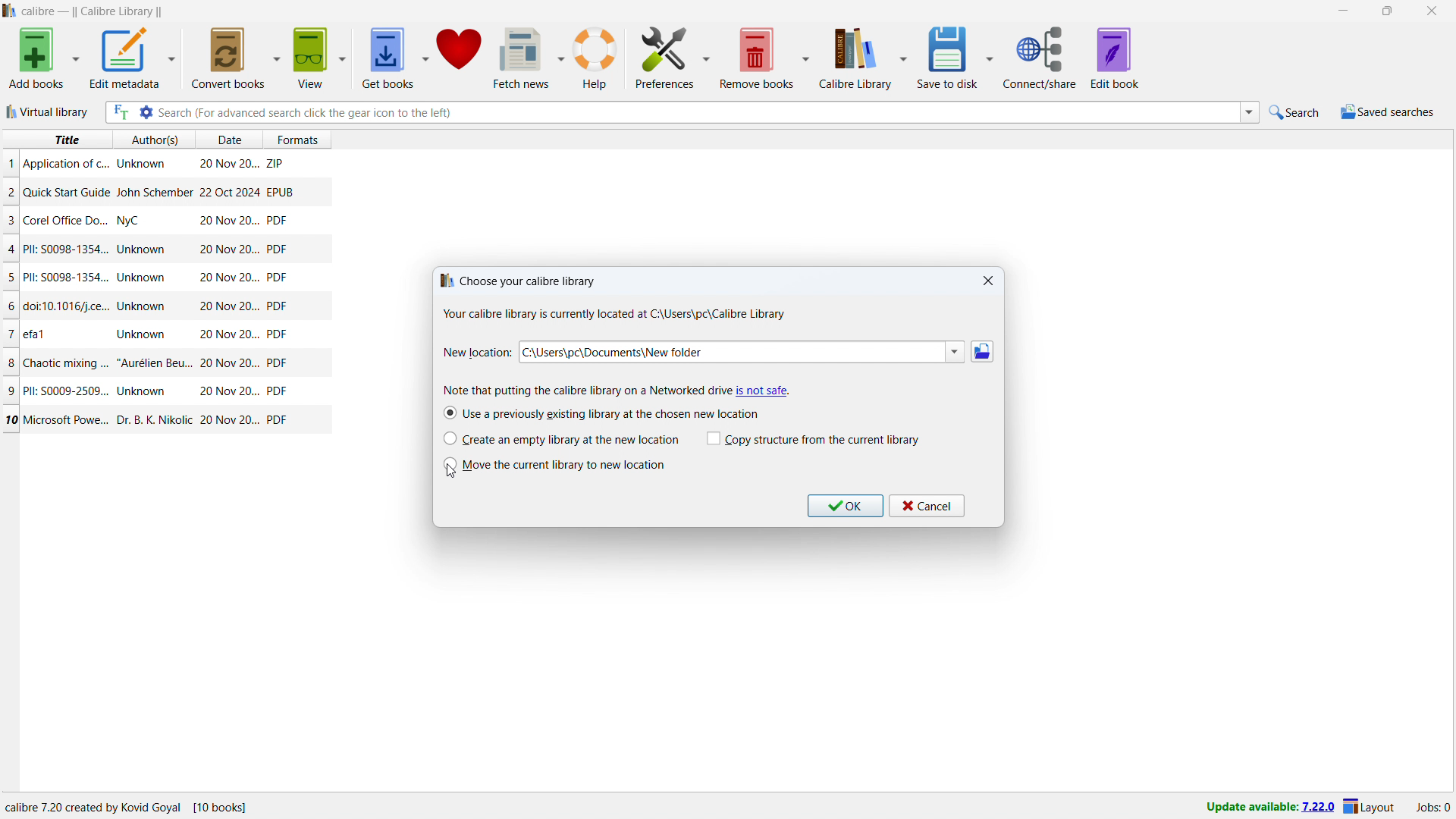  I want to click on Author, so click(152, 418).